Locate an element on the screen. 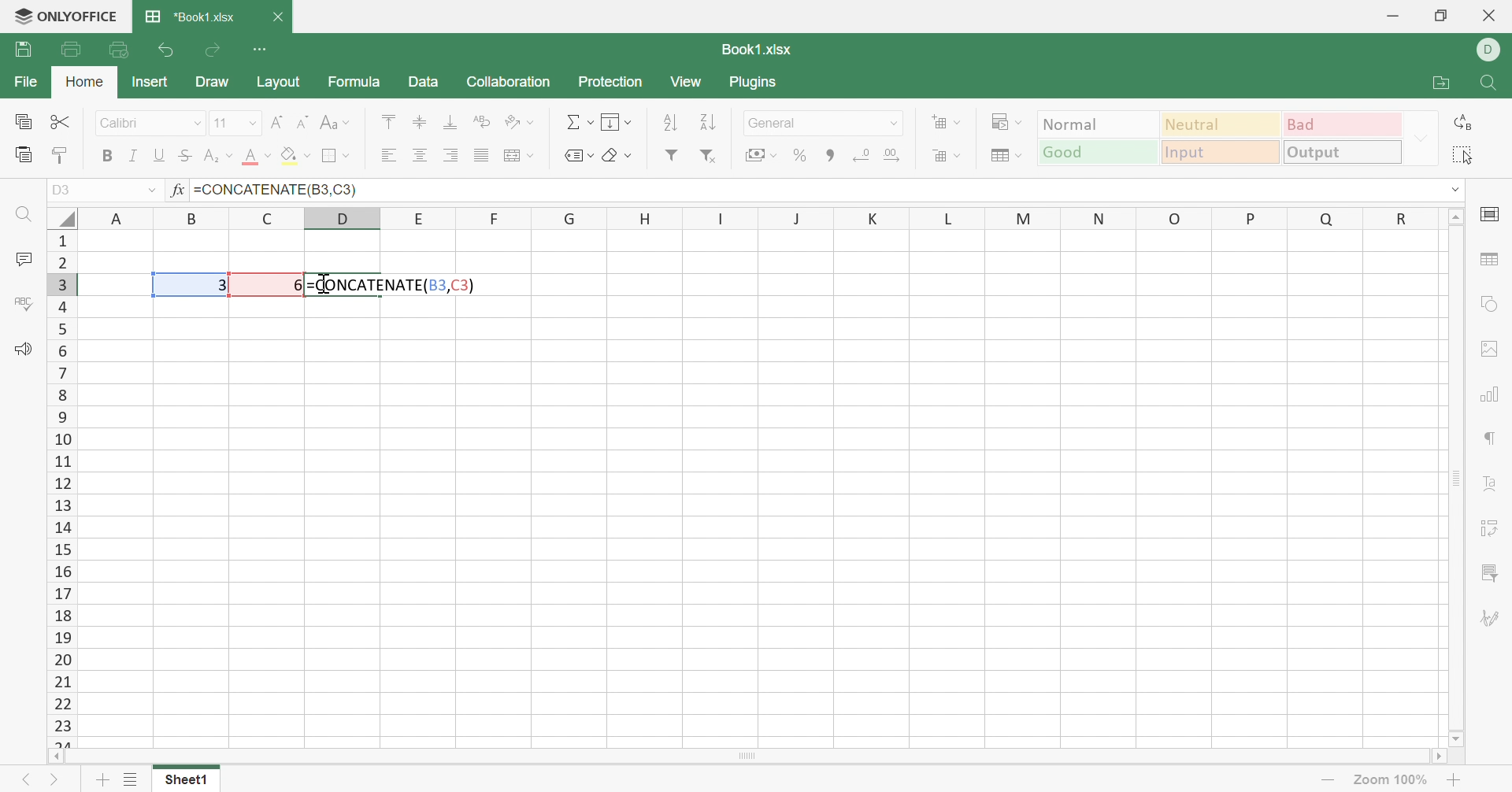 The image size is (1512, 792). Print file is located at coordinates (73, 47).